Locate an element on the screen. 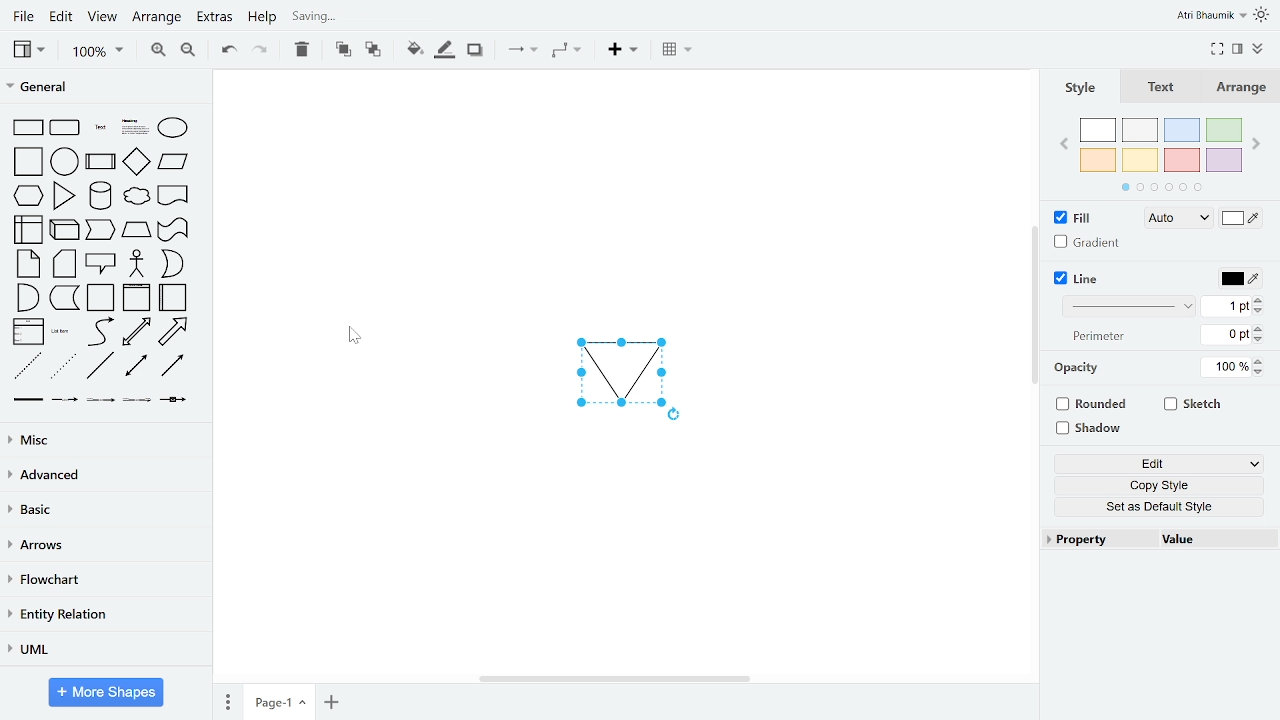  line color is located at coordinates (1240, 278).